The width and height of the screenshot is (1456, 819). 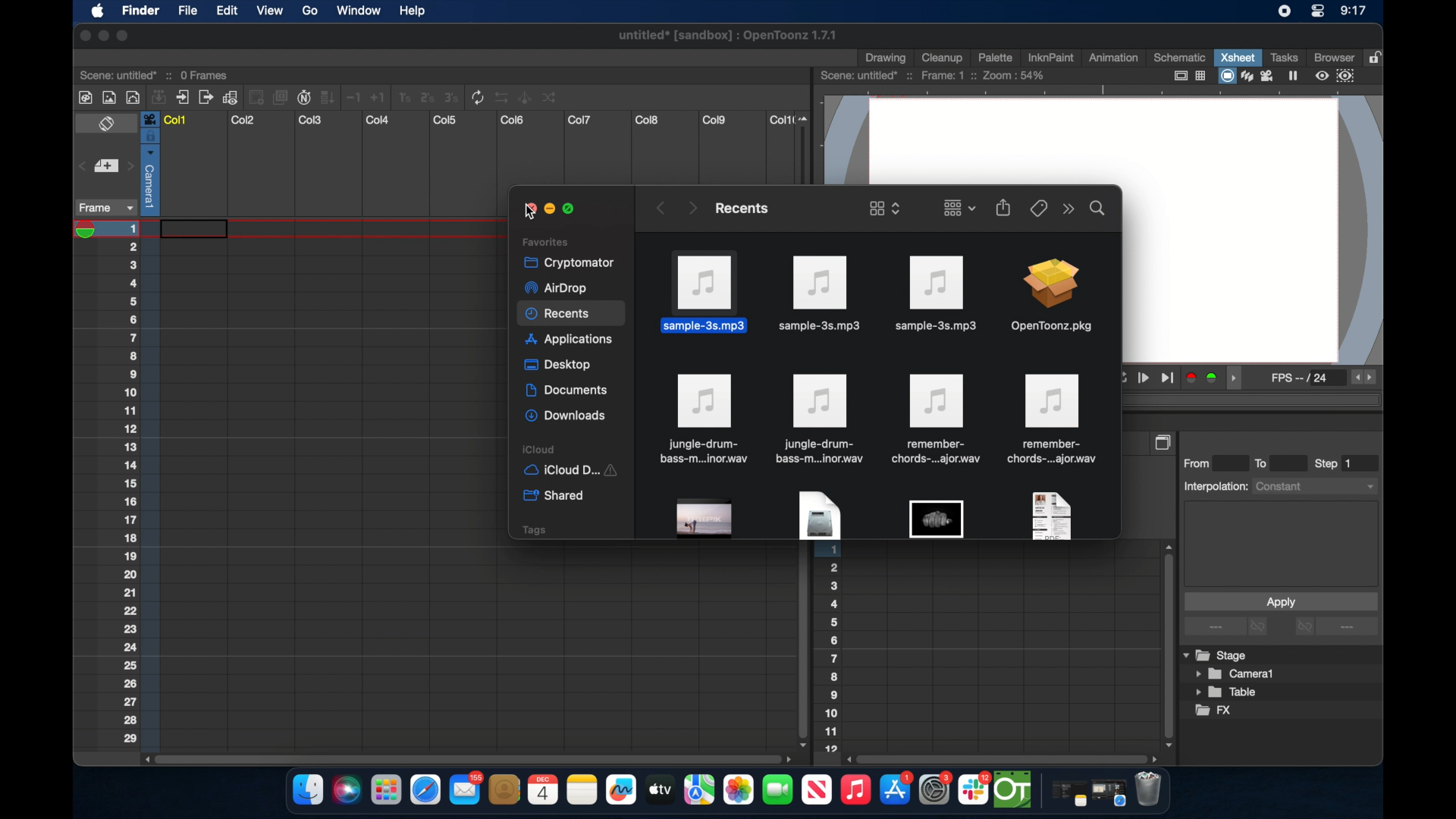 What do you see at coordinates (102, 36) in the screenshot?
I see `minimize` at bounding box center [102, 36].